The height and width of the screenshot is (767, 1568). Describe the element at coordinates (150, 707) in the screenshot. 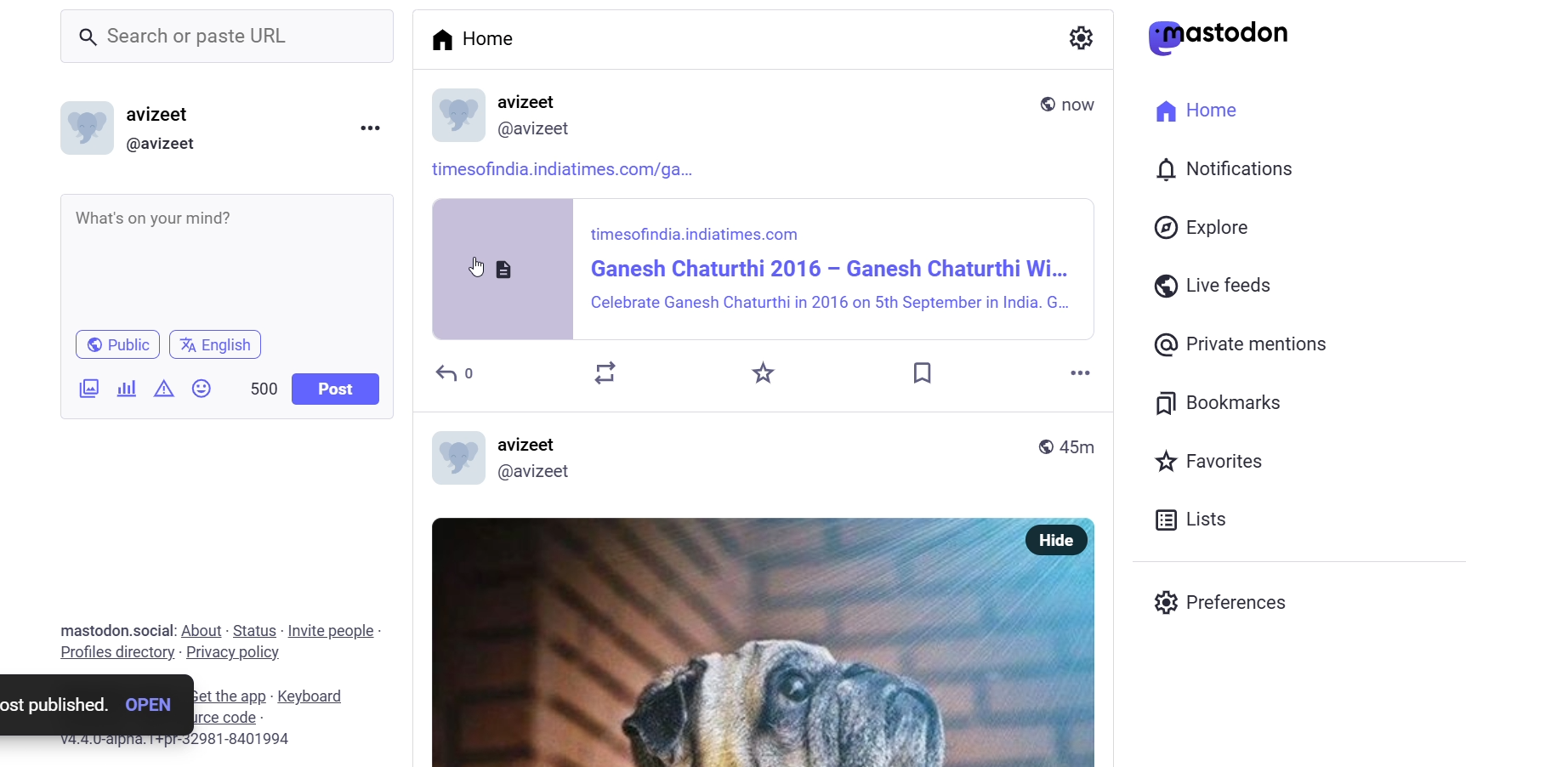

I see `open` at that location.